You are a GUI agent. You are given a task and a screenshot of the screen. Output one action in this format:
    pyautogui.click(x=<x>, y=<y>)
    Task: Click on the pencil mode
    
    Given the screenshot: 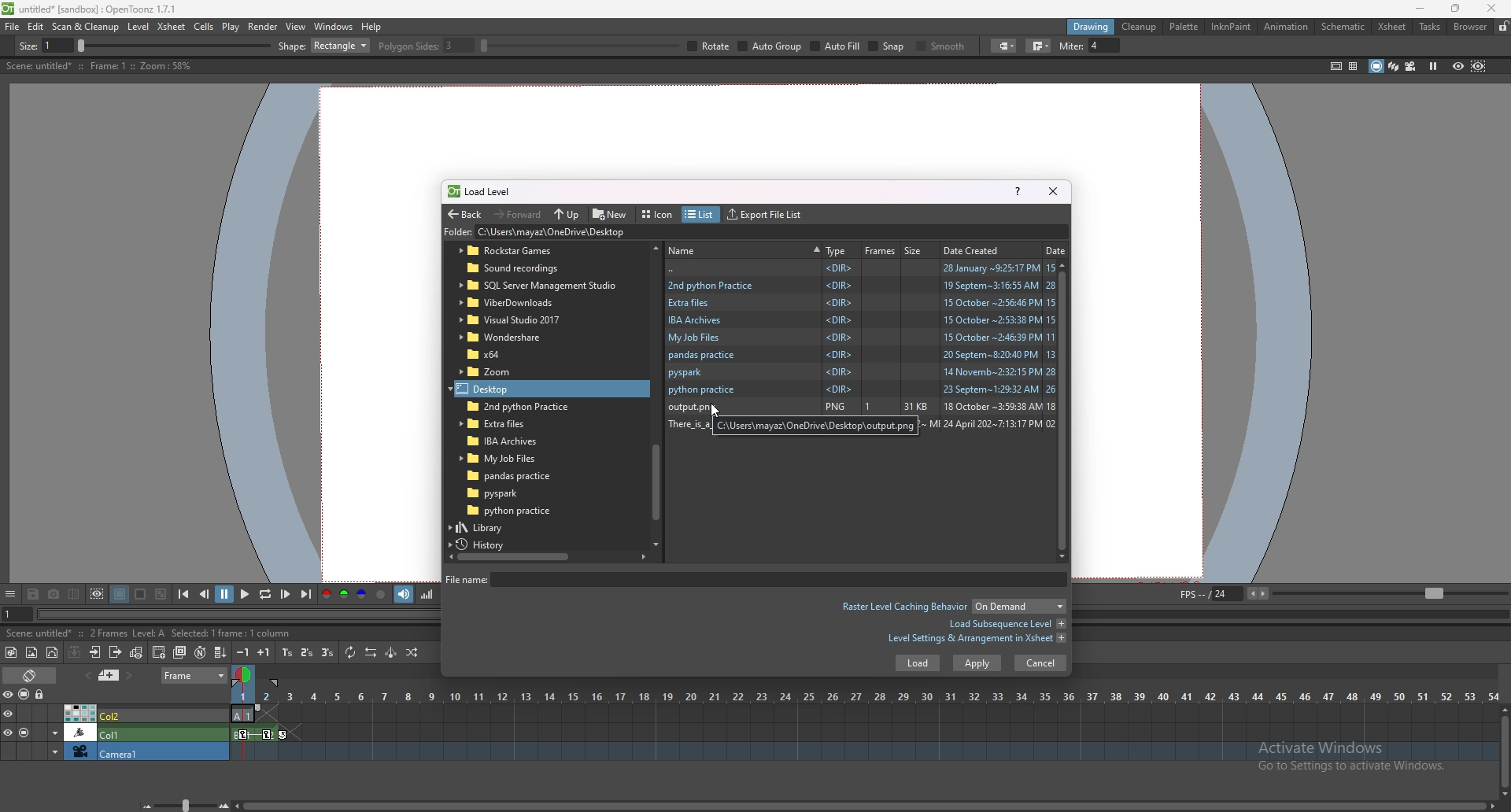 What is the action you would take?
    pyautogui.click(x=1150, y=46)
    